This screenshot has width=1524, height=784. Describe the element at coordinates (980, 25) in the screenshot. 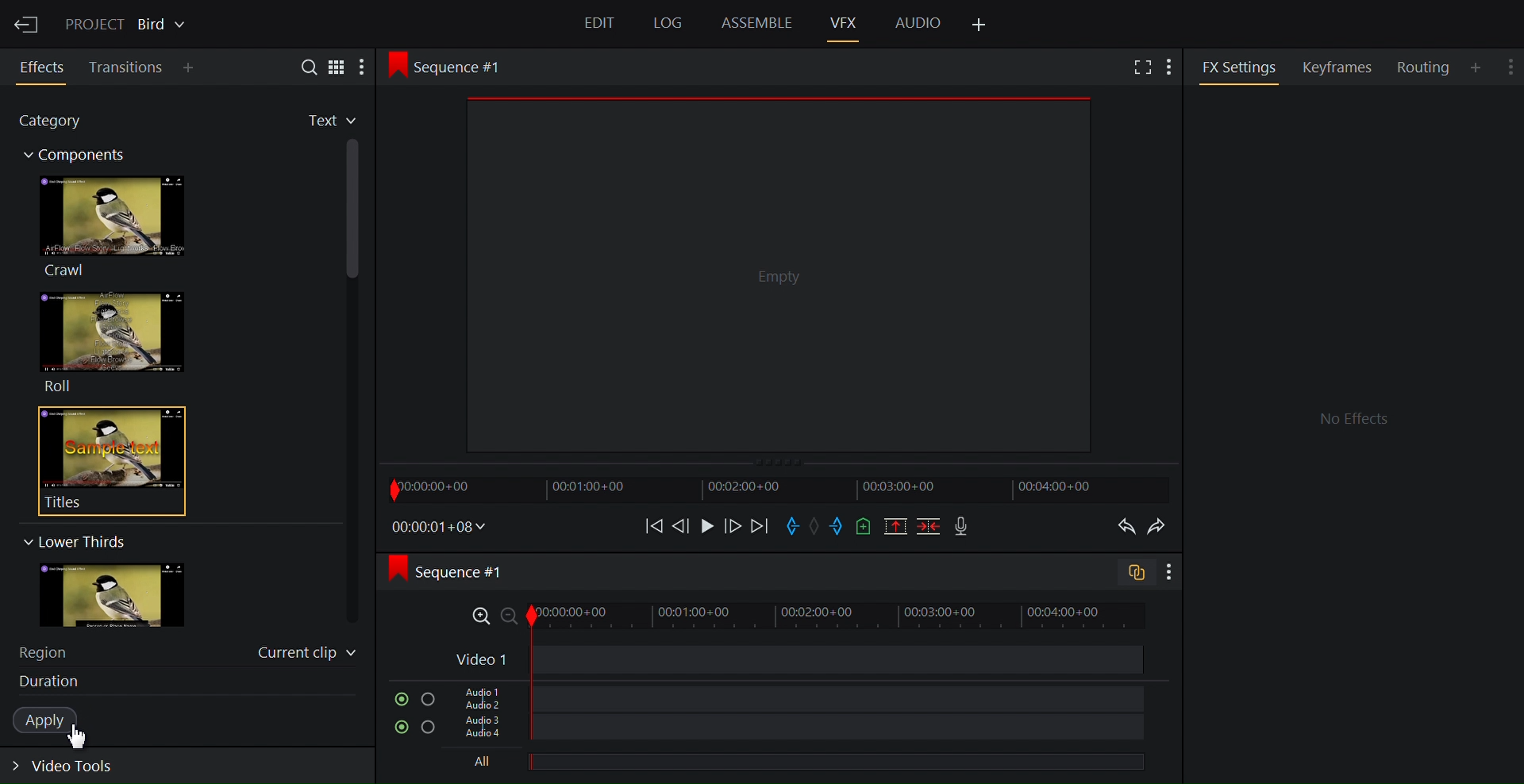

I see `Add Panel` at that location.